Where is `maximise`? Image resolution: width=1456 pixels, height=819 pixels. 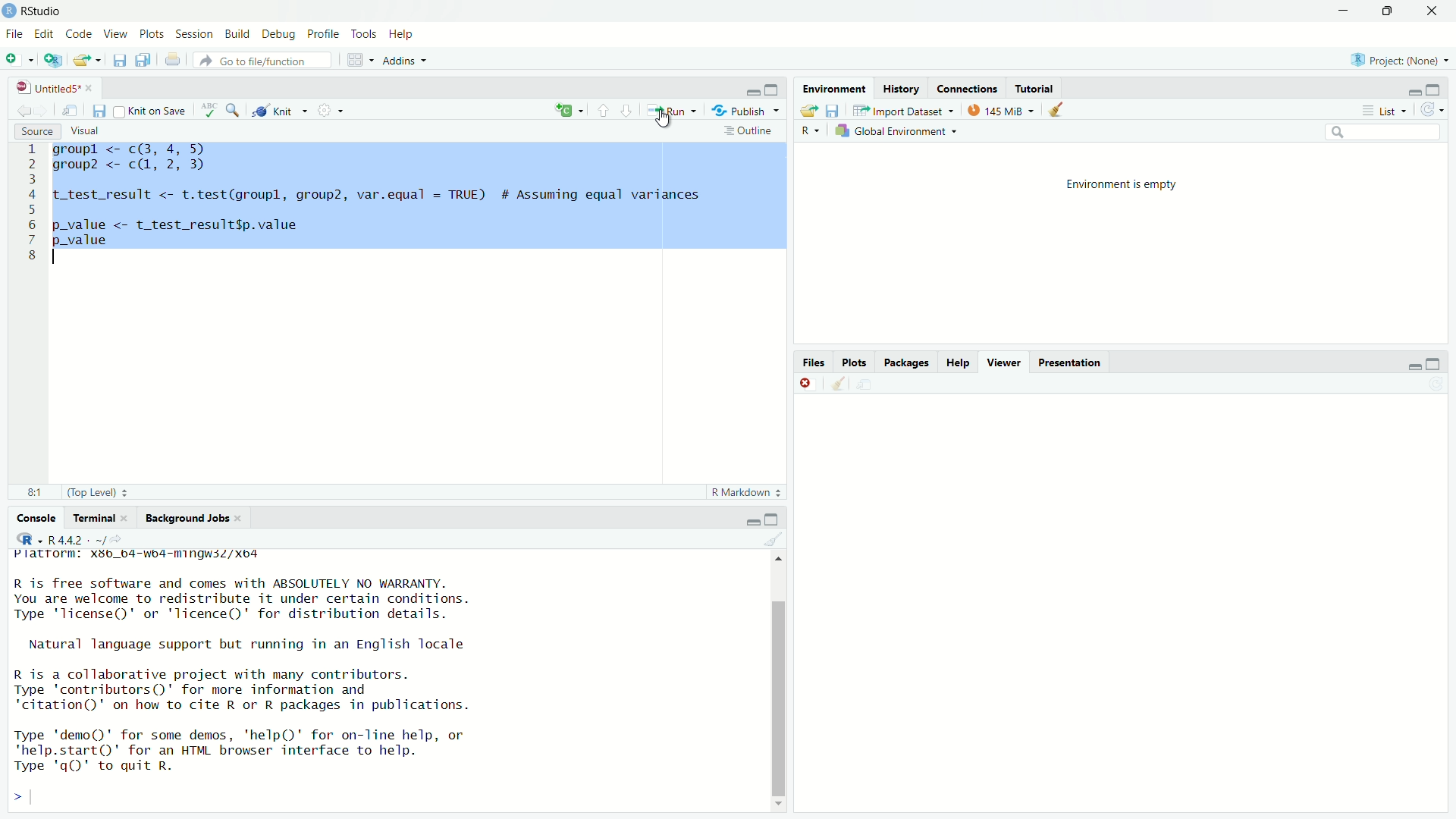
maximise is located at coordinates (775, 519).